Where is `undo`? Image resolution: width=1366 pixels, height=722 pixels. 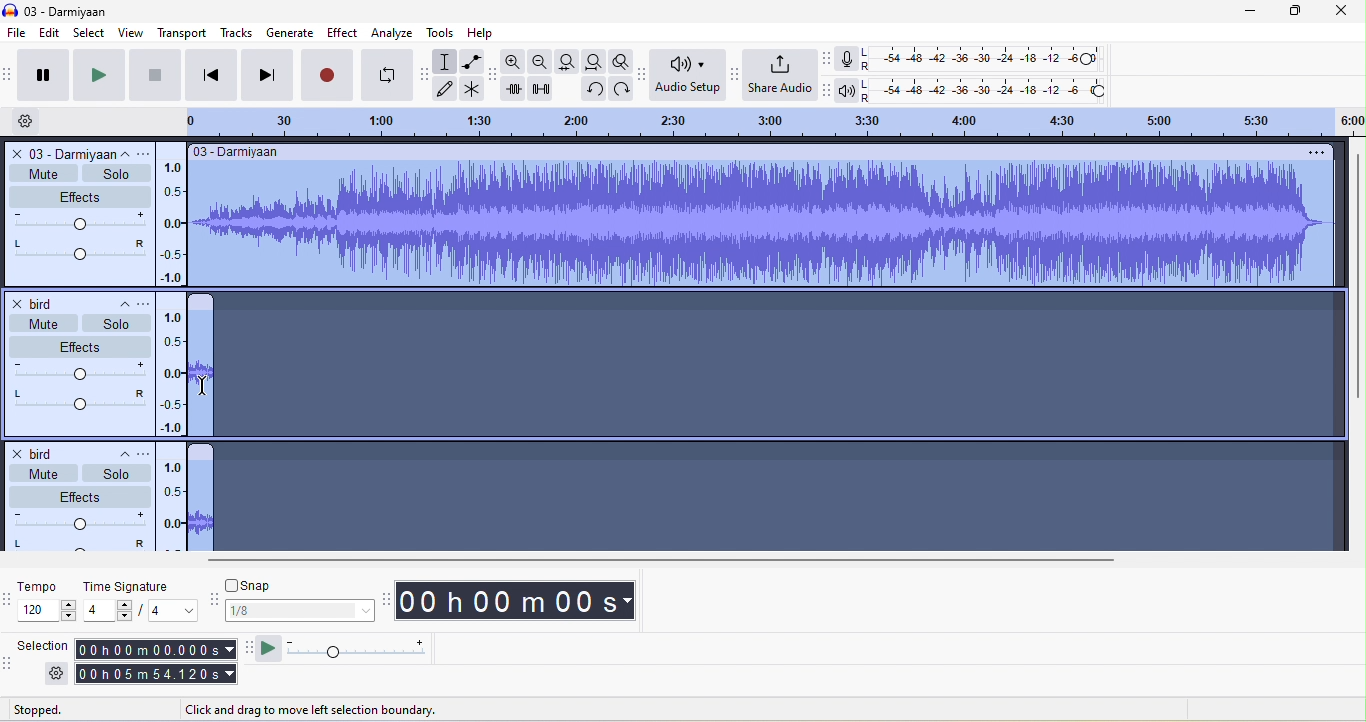 undo is located at coordinates (591, 89).